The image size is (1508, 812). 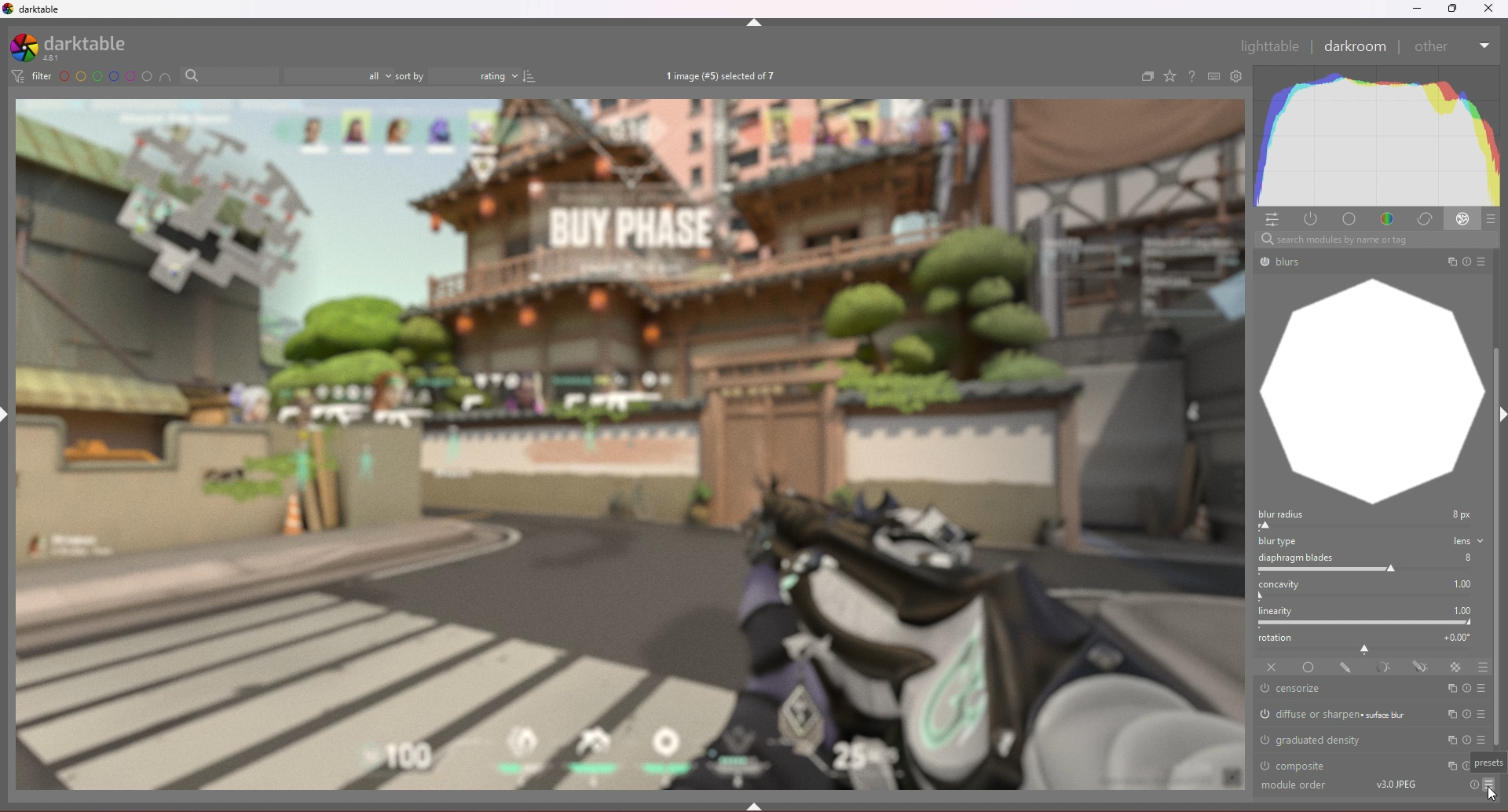 I want to click on linearity, so click(x=1371, y=616).